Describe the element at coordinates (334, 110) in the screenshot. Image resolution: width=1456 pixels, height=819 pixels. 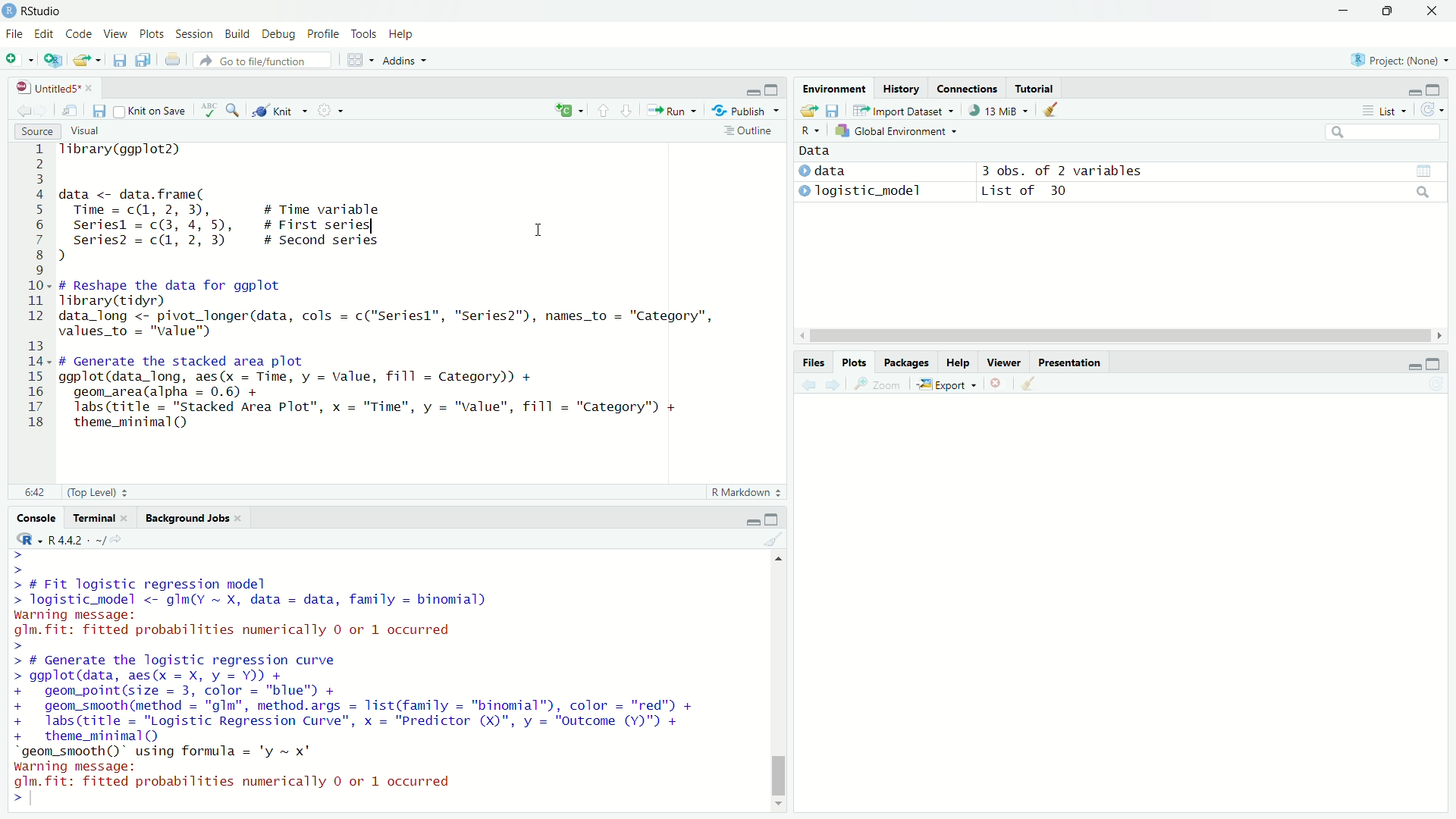
I see `settings` at that location.